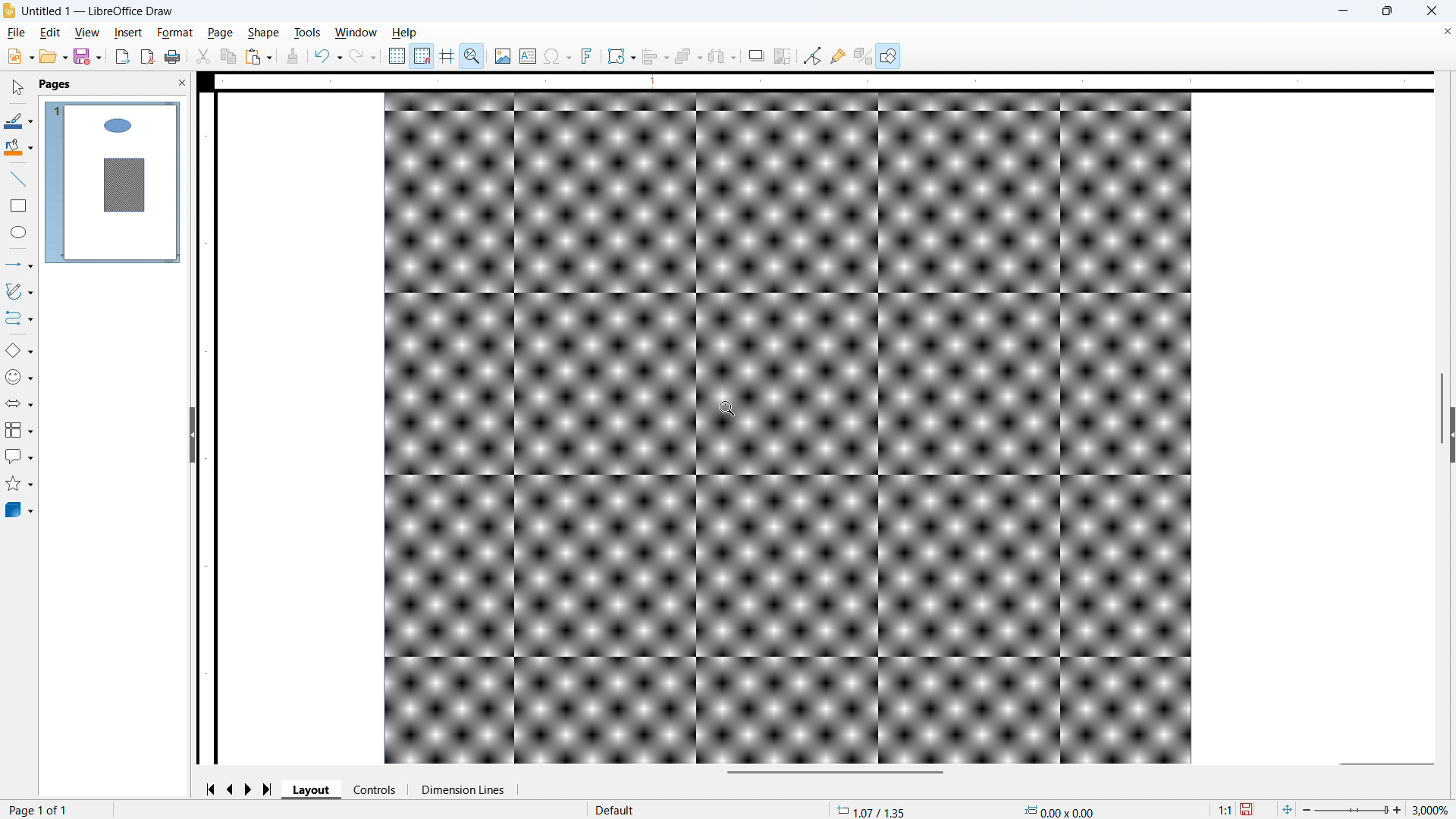 The image size is (1456, 819). I want to click on Copy , so click(227, 56).